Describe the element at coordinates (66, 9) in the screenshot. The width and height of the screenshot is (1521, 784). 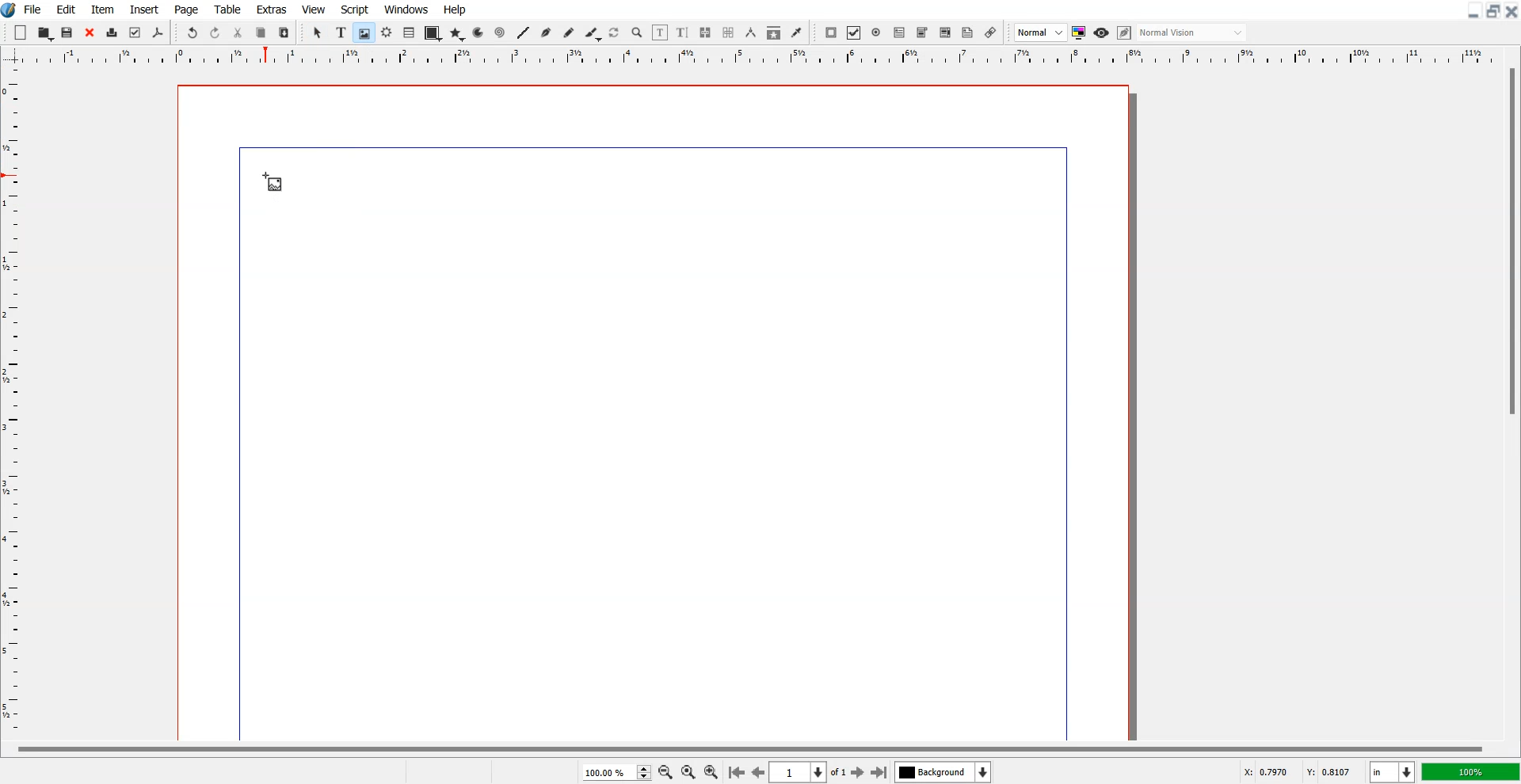
I see `Edit` at that location.